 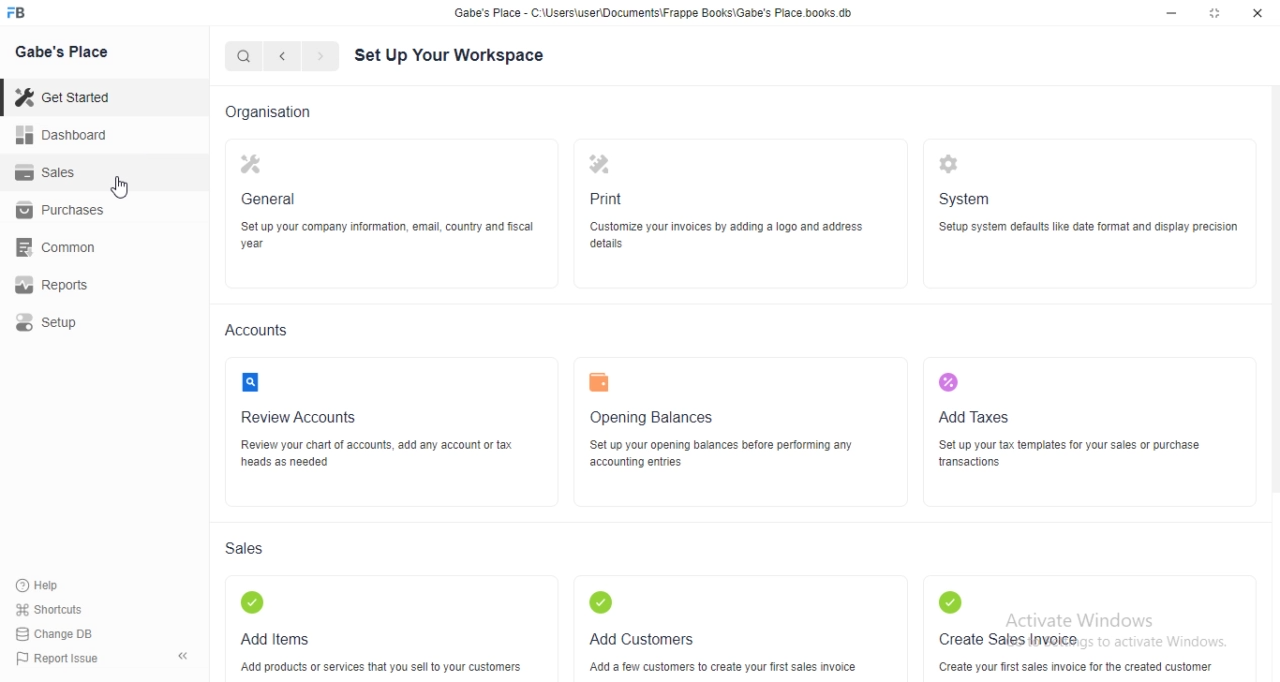 What do you see at coordinates (1082, 665) in the screenshot?
I see `Create your first sales invoice for the created customer` at bounding box center [1082, 665].